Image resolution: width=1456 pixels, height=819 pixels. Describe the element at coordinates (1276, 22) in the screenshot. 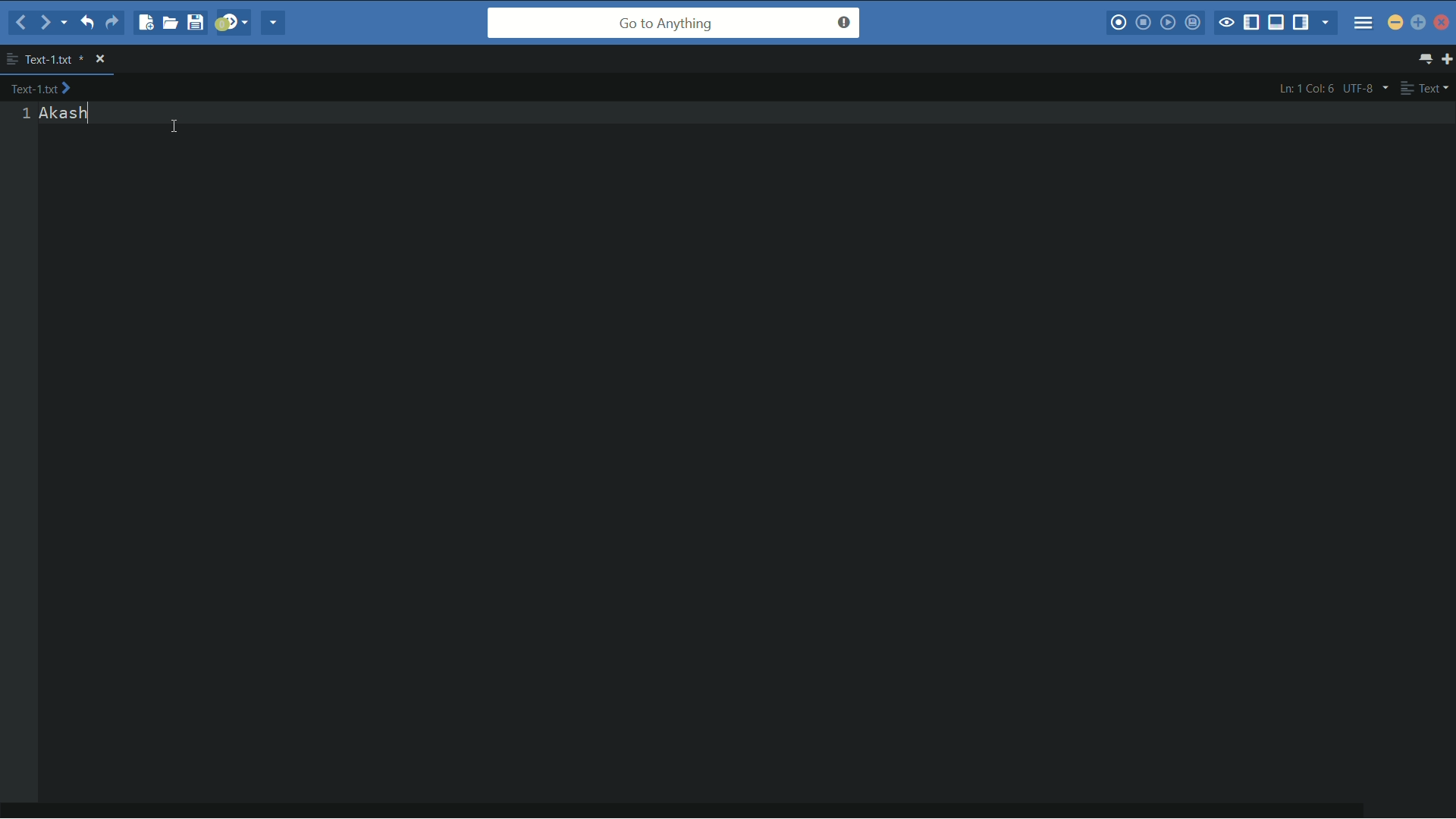

I see `show/hide bottom panel` at that location.